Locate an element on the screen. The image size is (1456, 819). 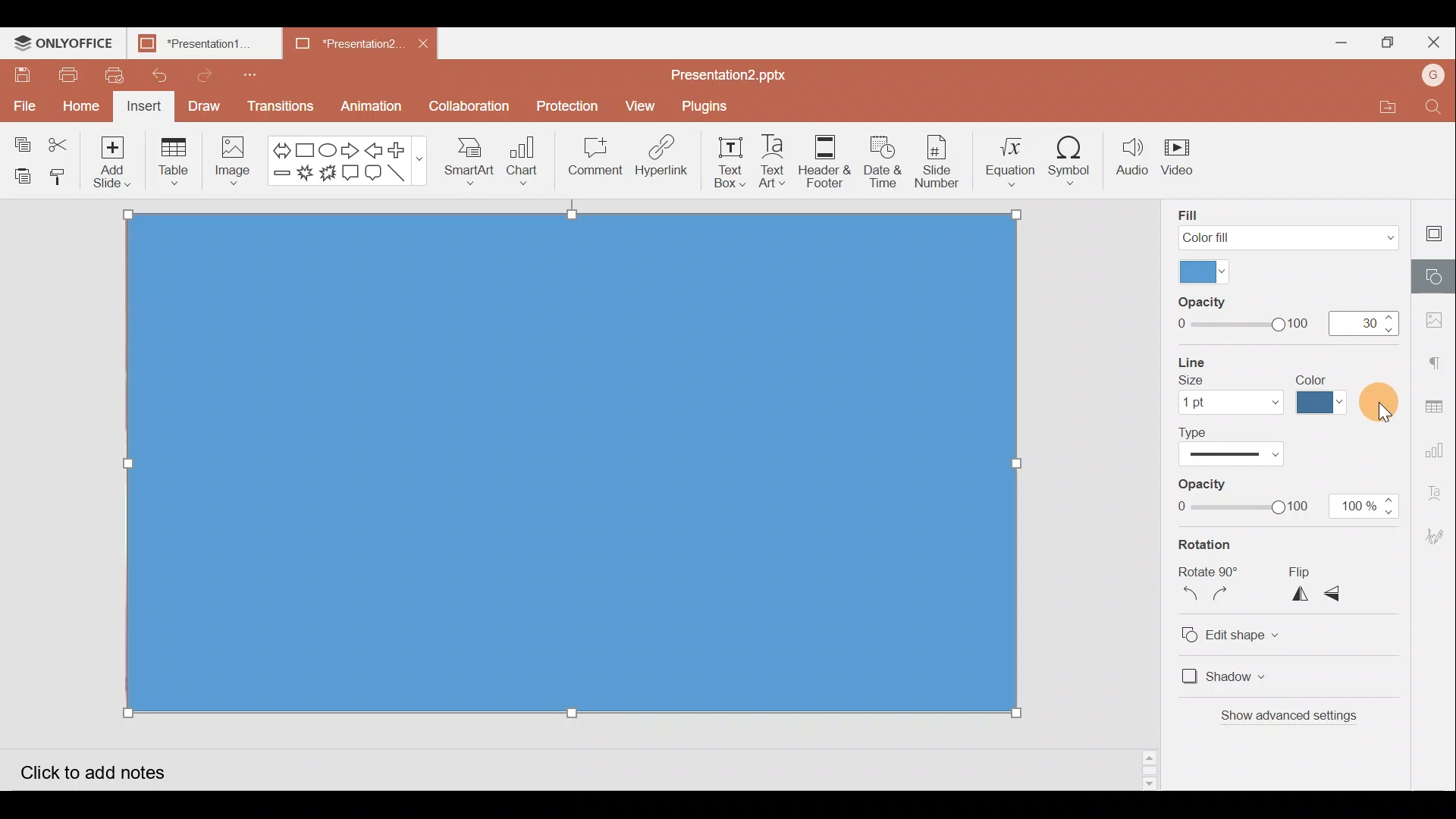
Draw is located at coordinates (205, 108).